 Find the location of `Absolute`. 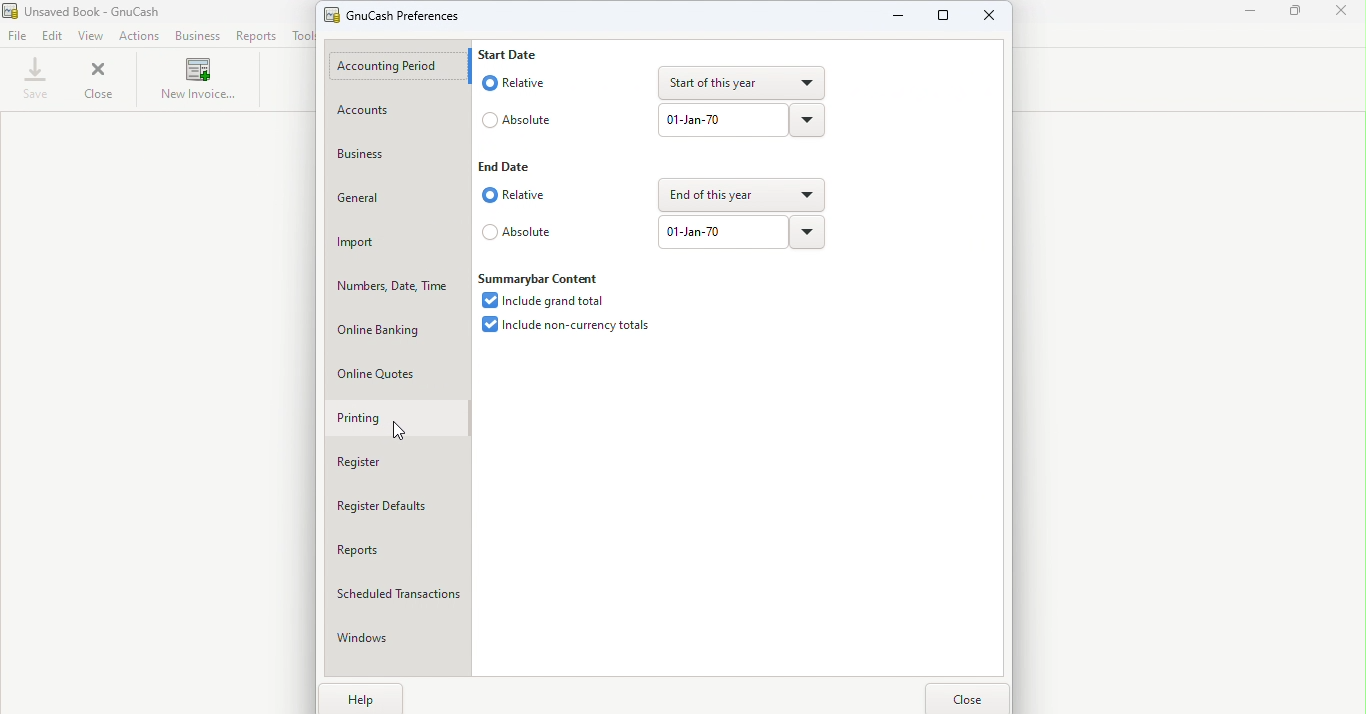

Absolute is located at coordinates (523, 230).